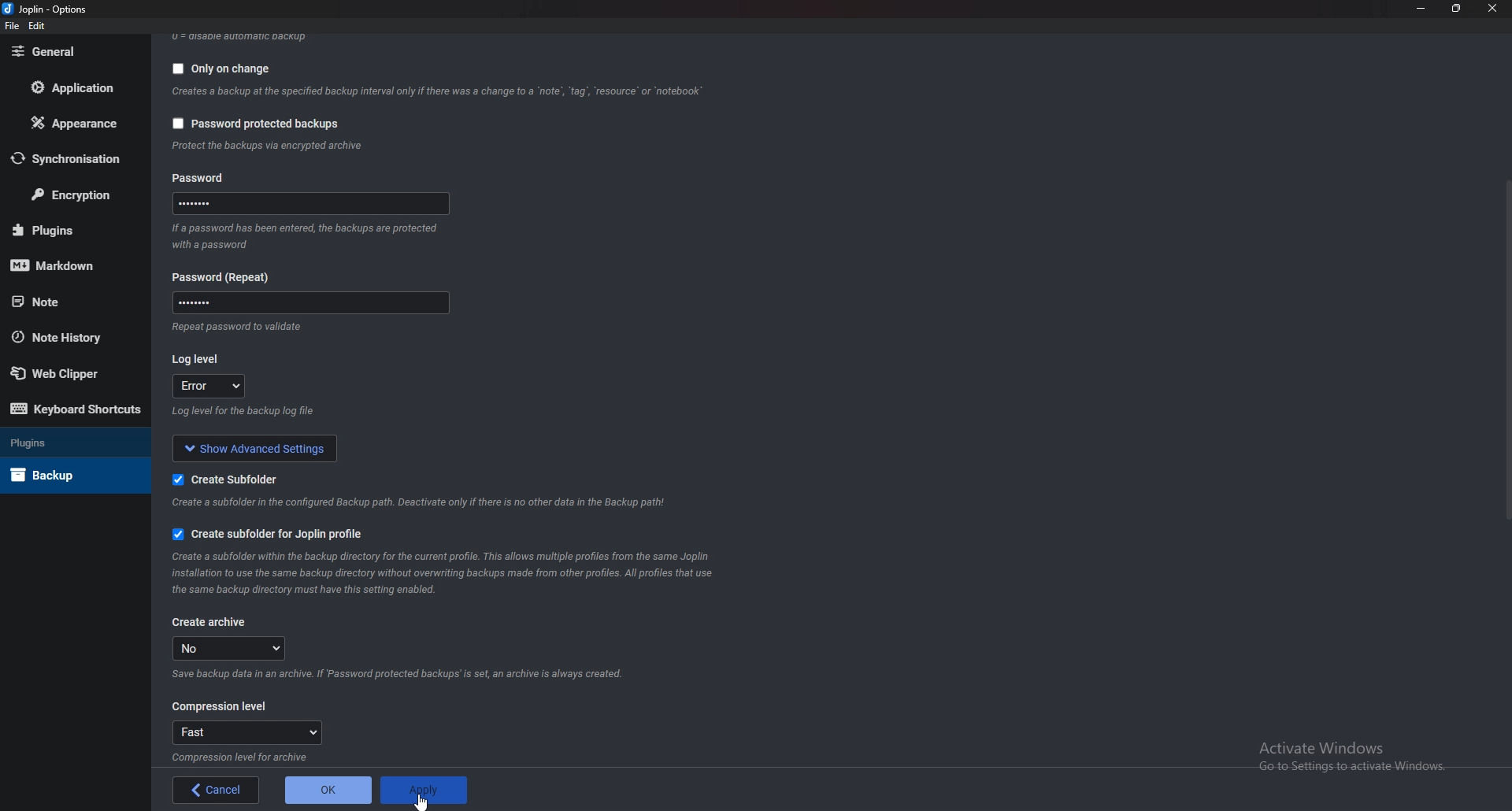 The width and height of the screenshot is (1512, 811). I want to click on Password, so click(309, 206).